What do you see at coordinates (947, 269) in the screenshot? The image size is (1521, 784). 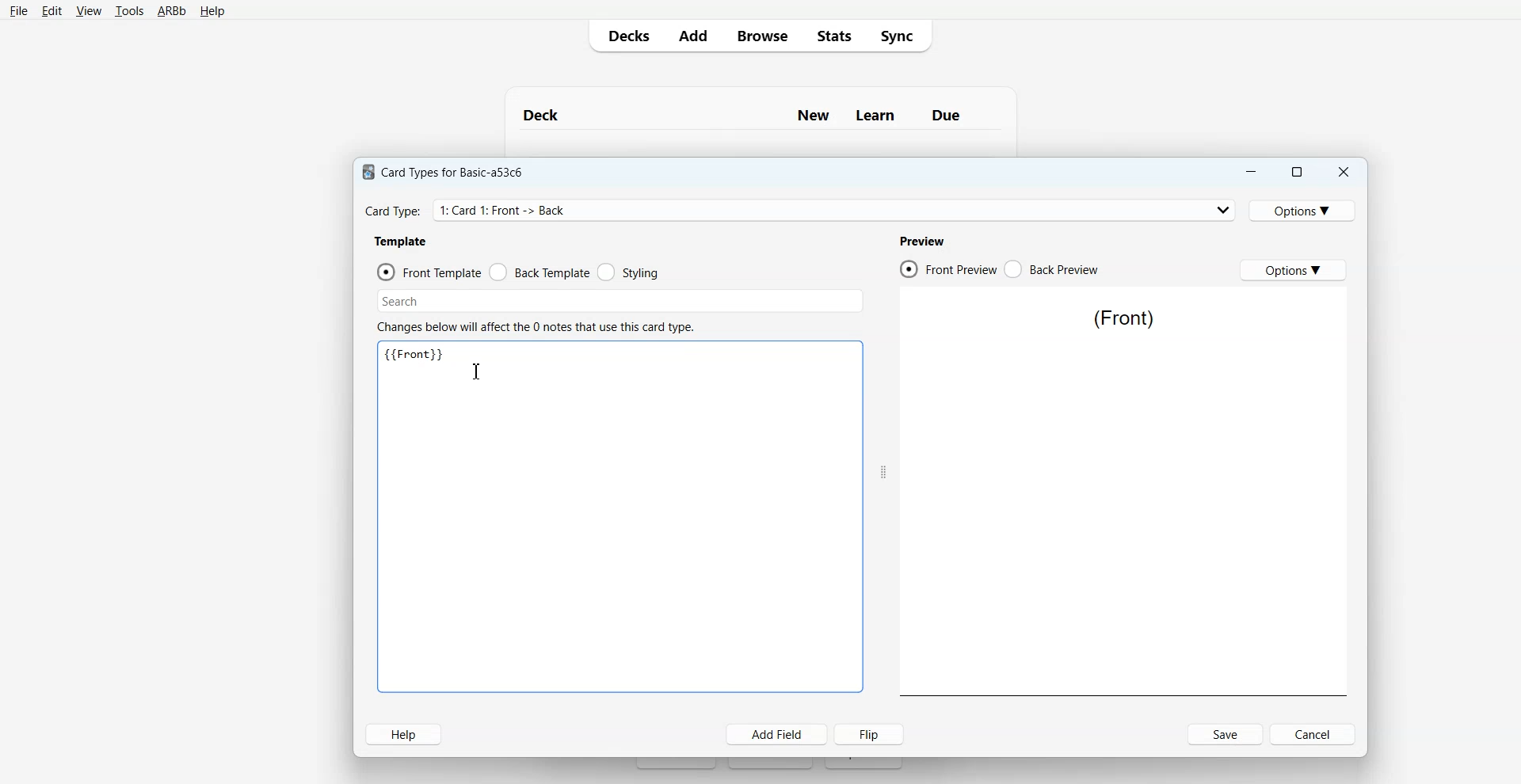 I see `Front Preview` at bounding box center [947, 269].